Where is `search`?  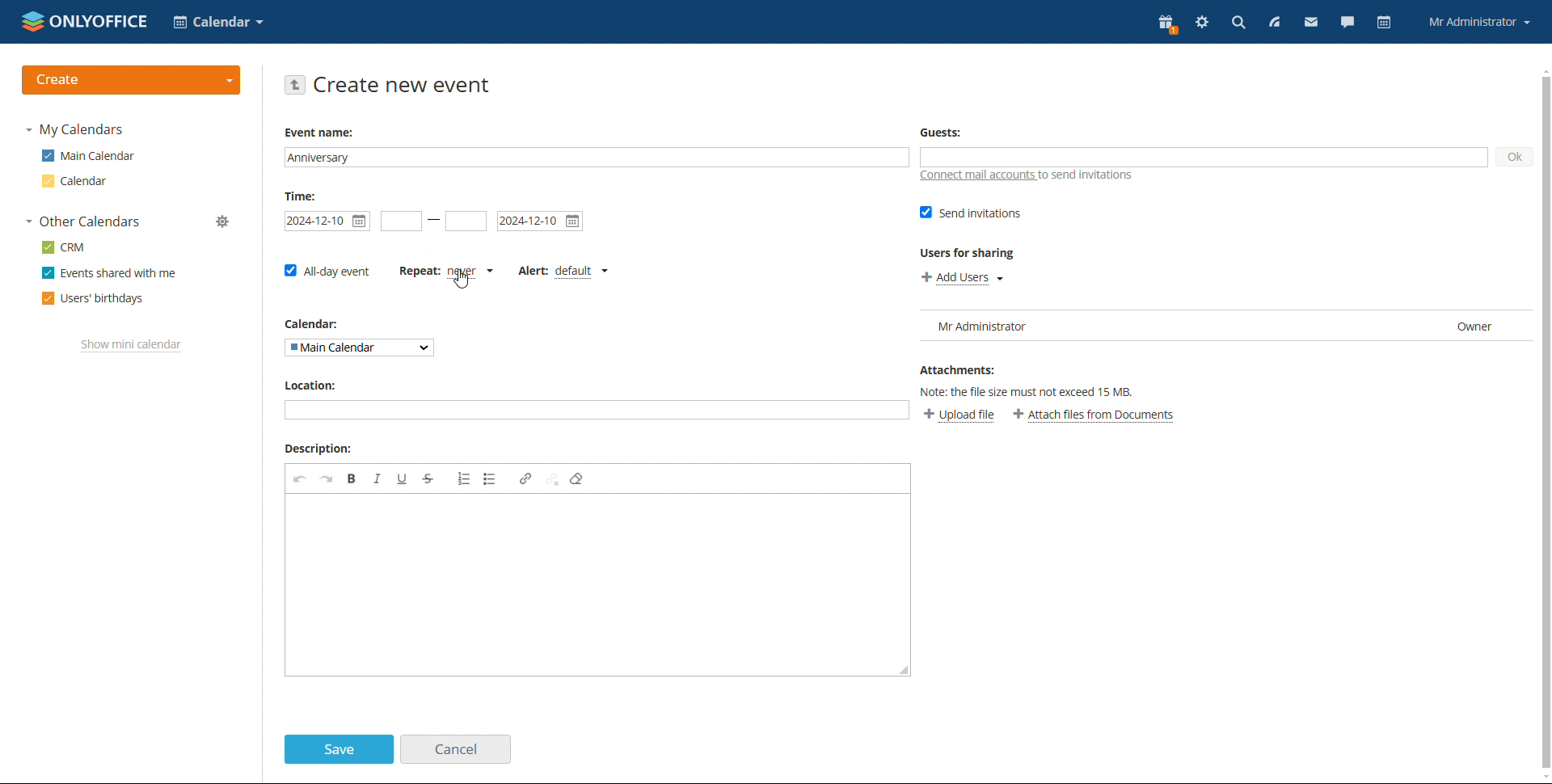 search is located at coordinates (1235, 23).